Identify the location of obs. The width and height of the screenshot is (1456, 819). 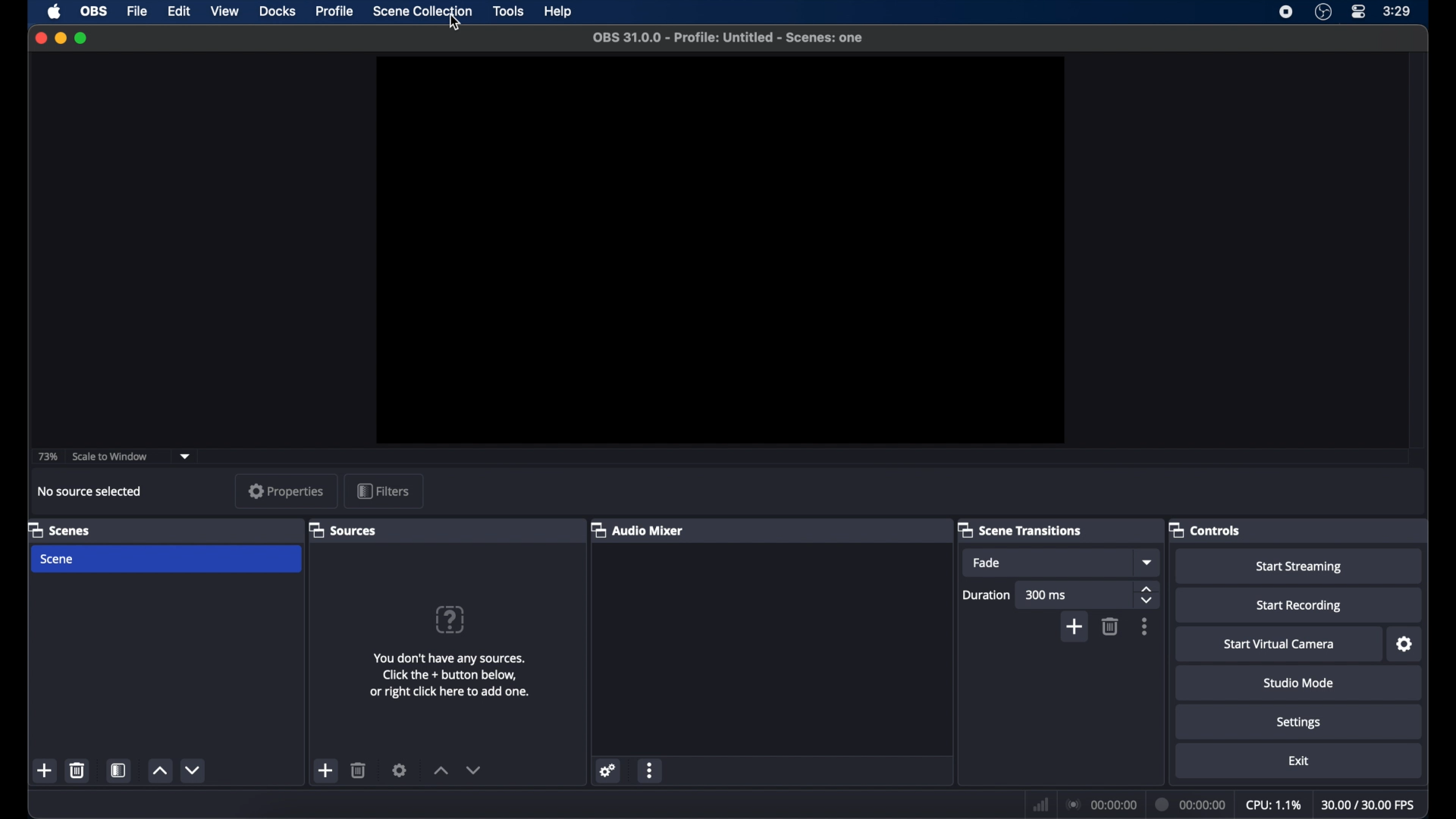
(94, 11).